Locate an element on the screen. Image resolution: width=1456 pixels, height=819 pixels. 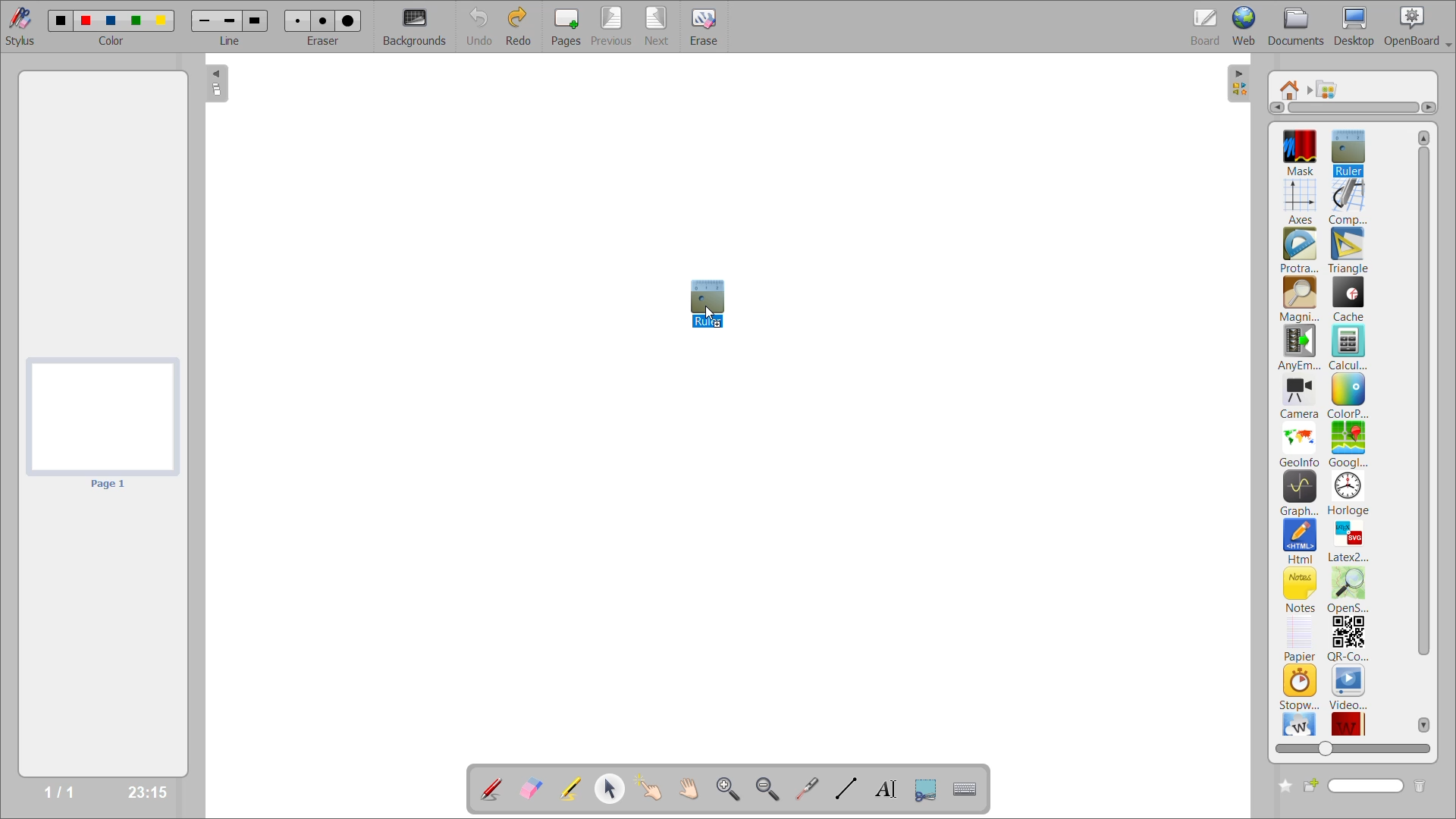
color 4 is located at coordinates (135, 22).